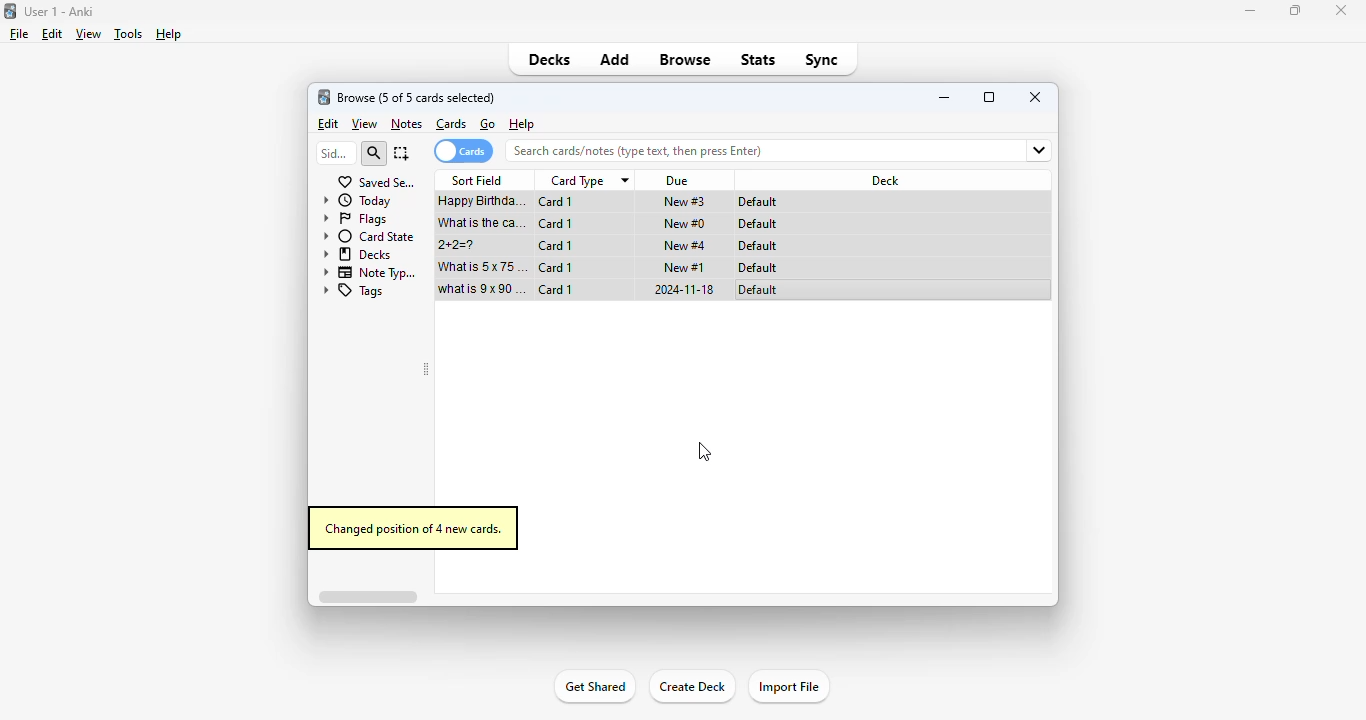 The image size is (1366, 720). Describe the element at coordinates (483, 223) in the screenshot. I see `What is the` at that location.